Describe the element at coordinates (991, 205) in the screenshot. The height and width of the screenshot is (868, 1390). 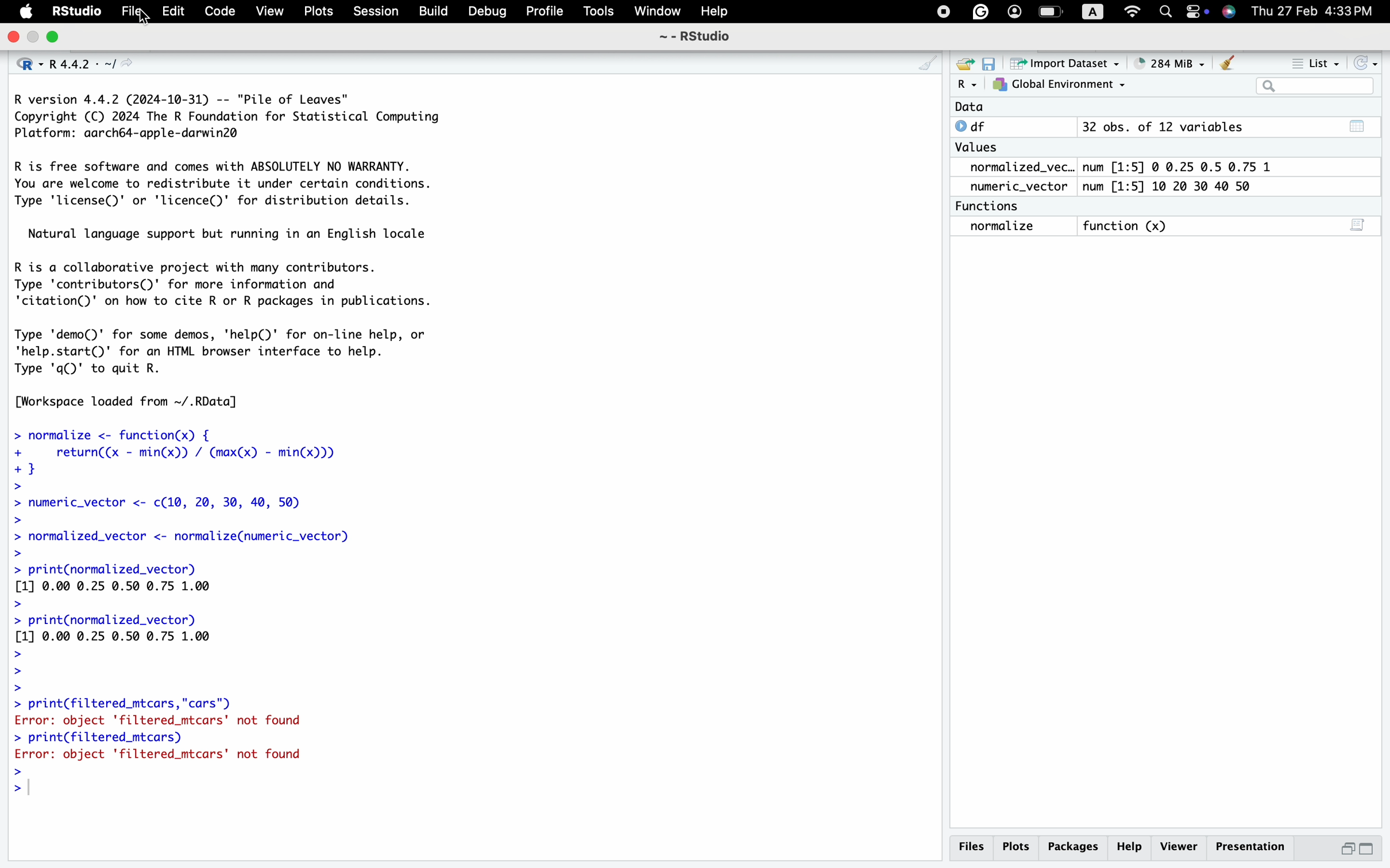
I see `Functions` at that location.